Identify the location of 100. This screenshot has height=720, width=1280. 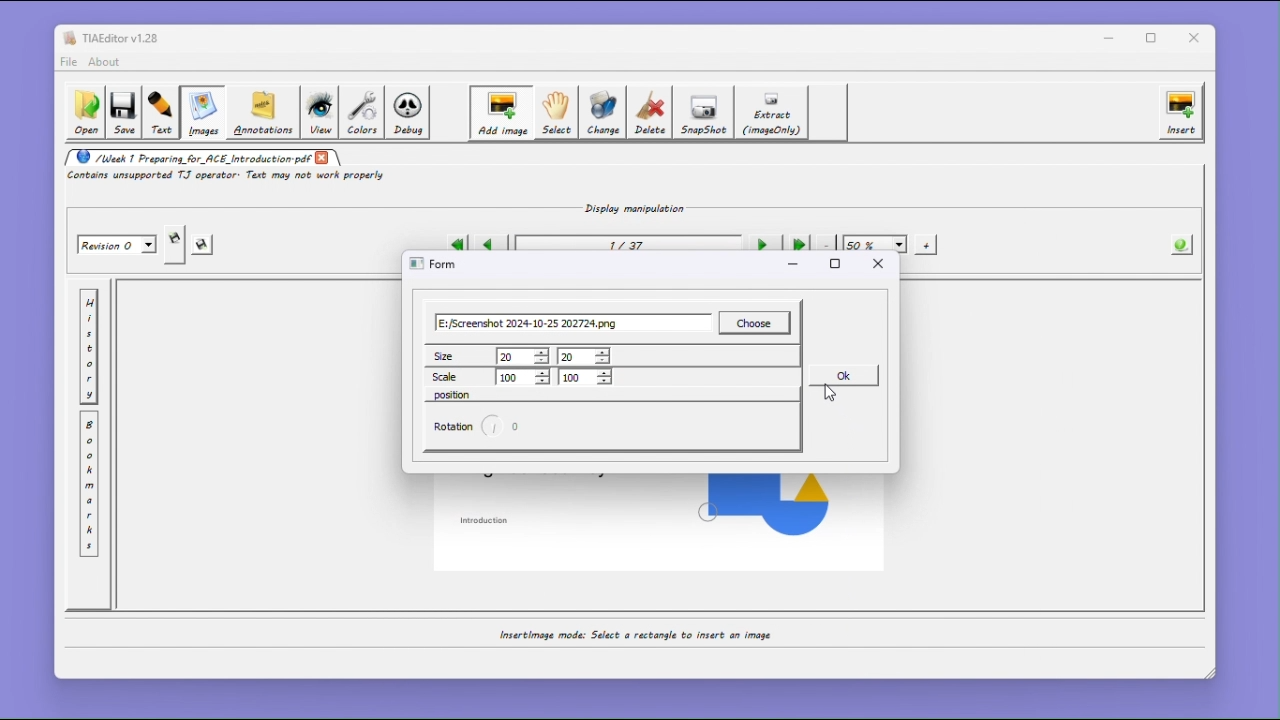
(523, 377).